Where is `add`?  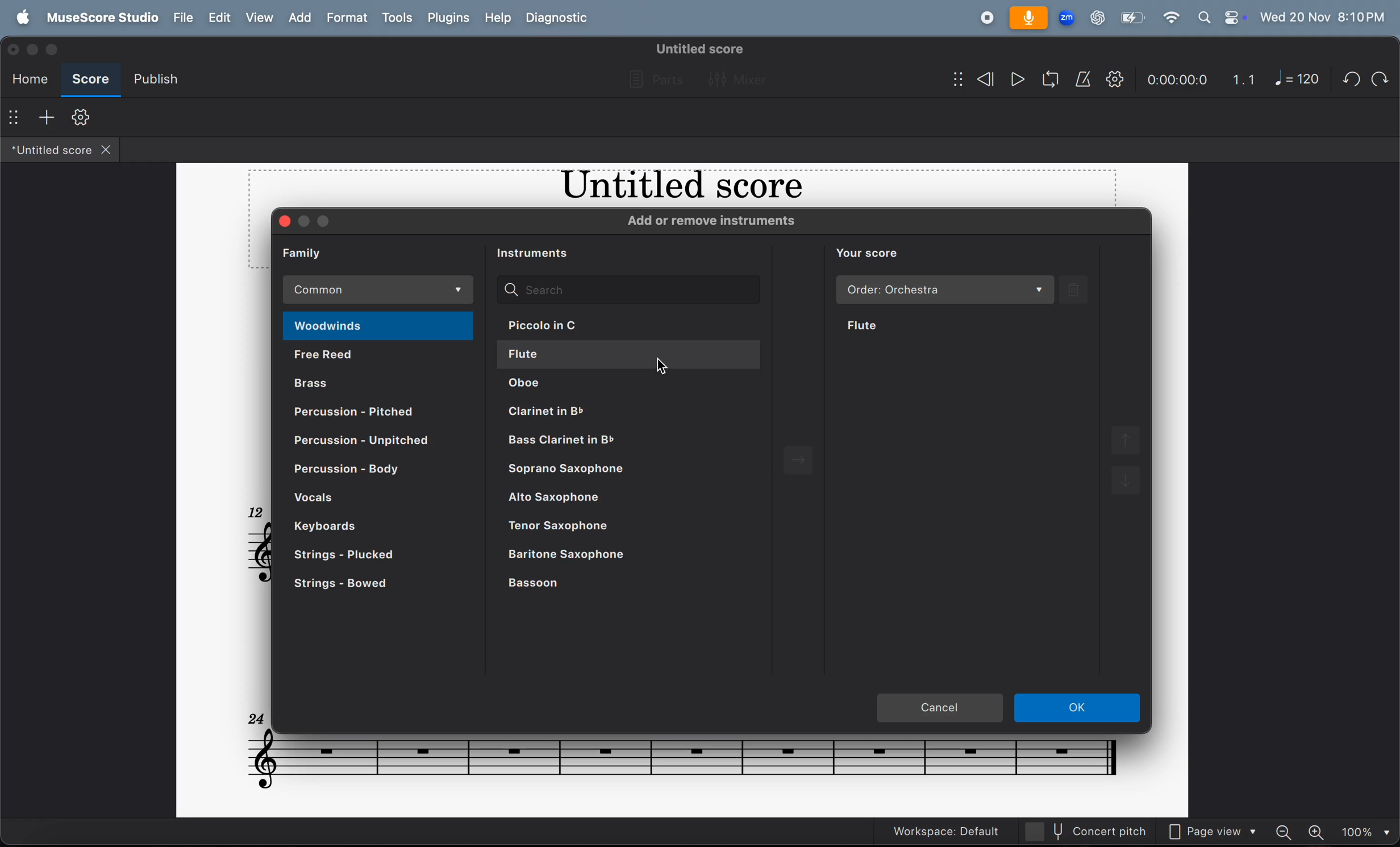 add is located at coordinates (48, 117).